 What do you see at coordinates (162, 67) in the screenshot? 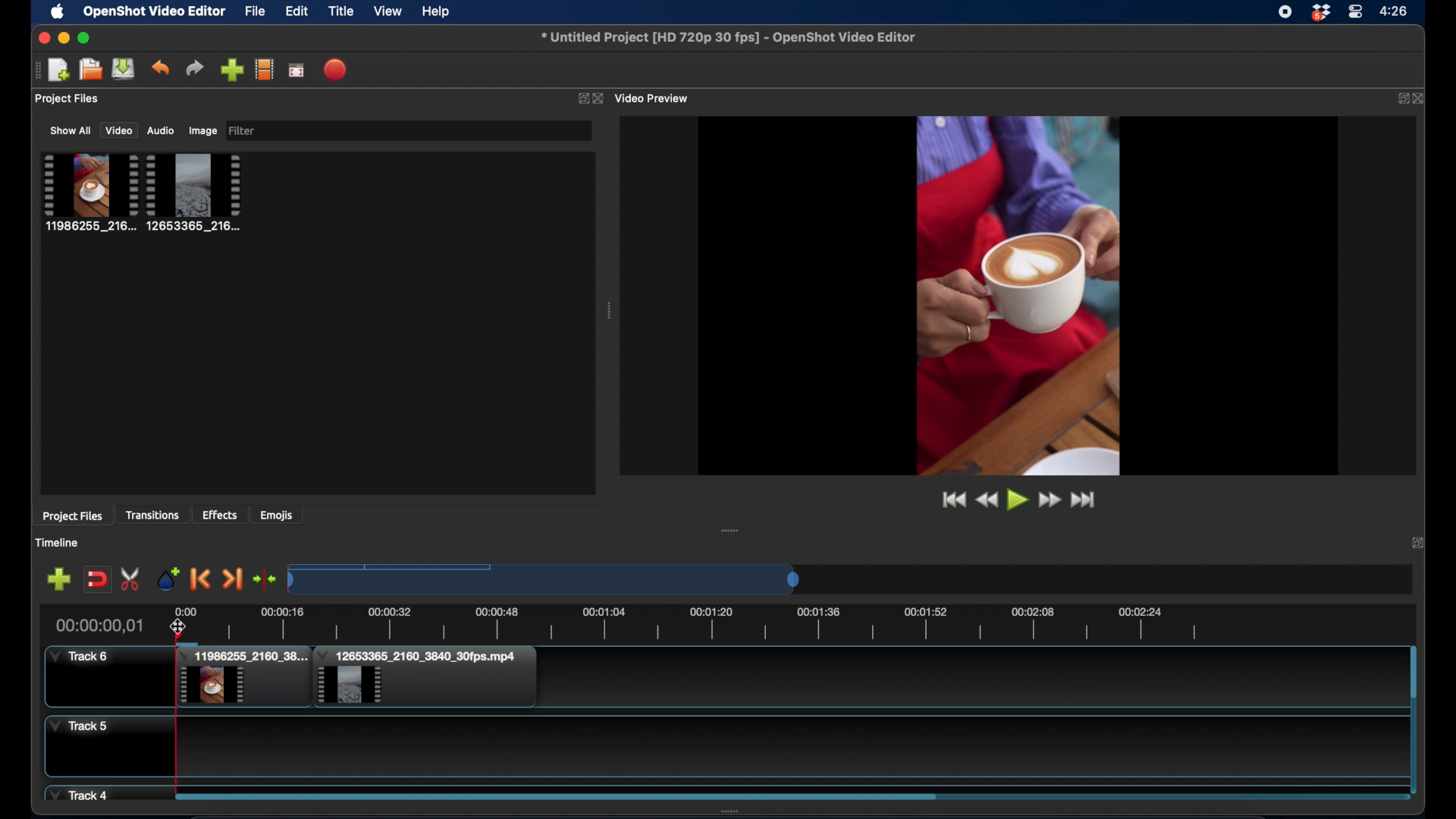
I see `undo` at bounding box center [162, 67].